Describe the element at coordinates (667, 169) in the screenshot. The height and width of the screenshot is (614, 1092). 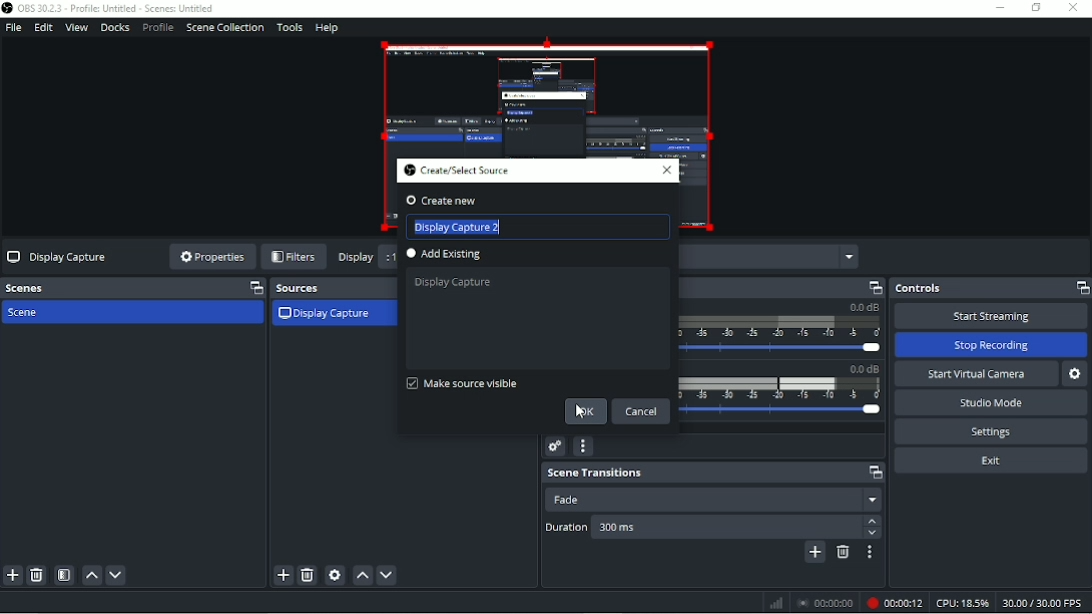
I see `Close` at that location.